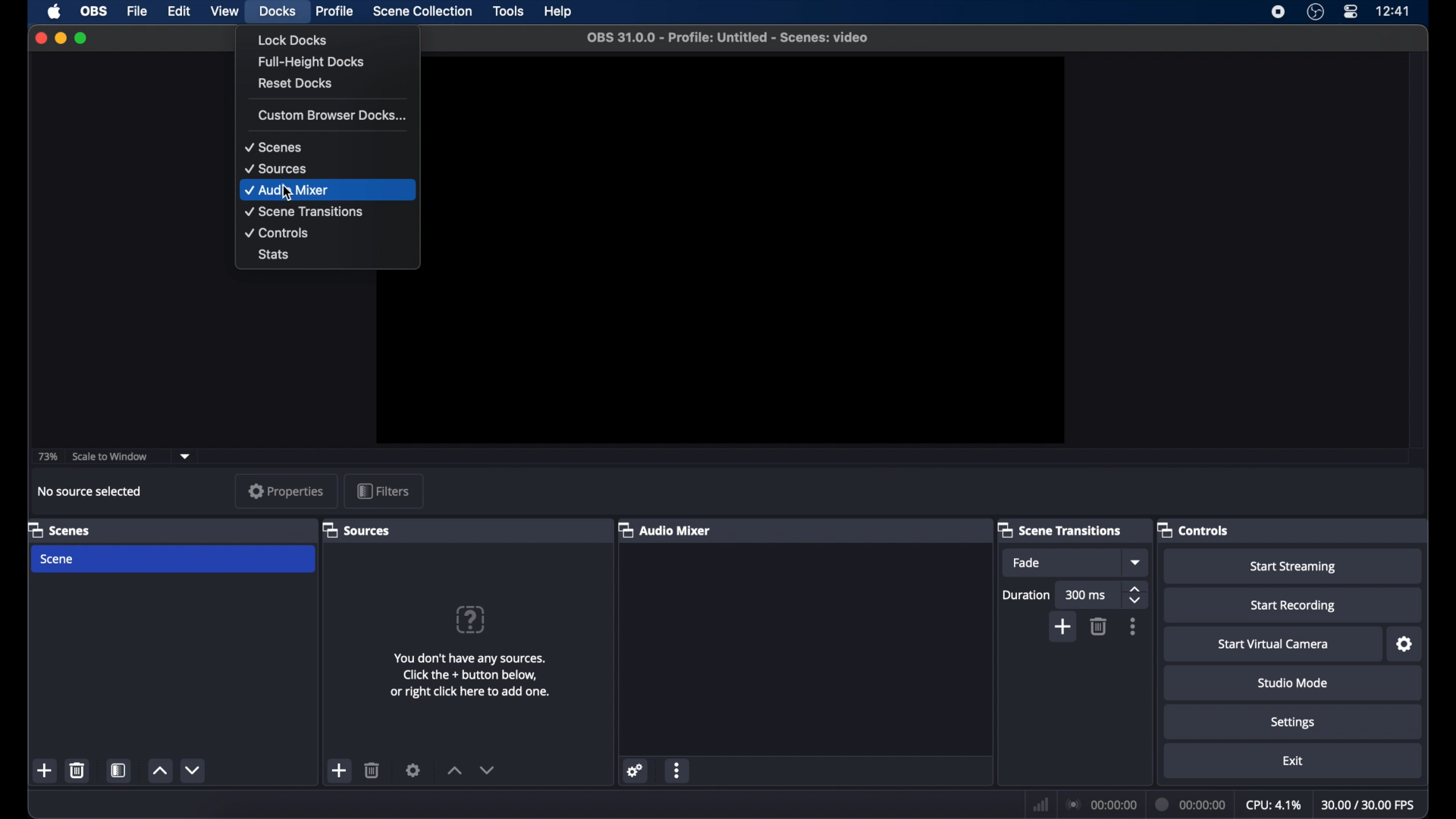 This screenshot has width=1456, height=819. I want to click on delete, so click(77, 770).